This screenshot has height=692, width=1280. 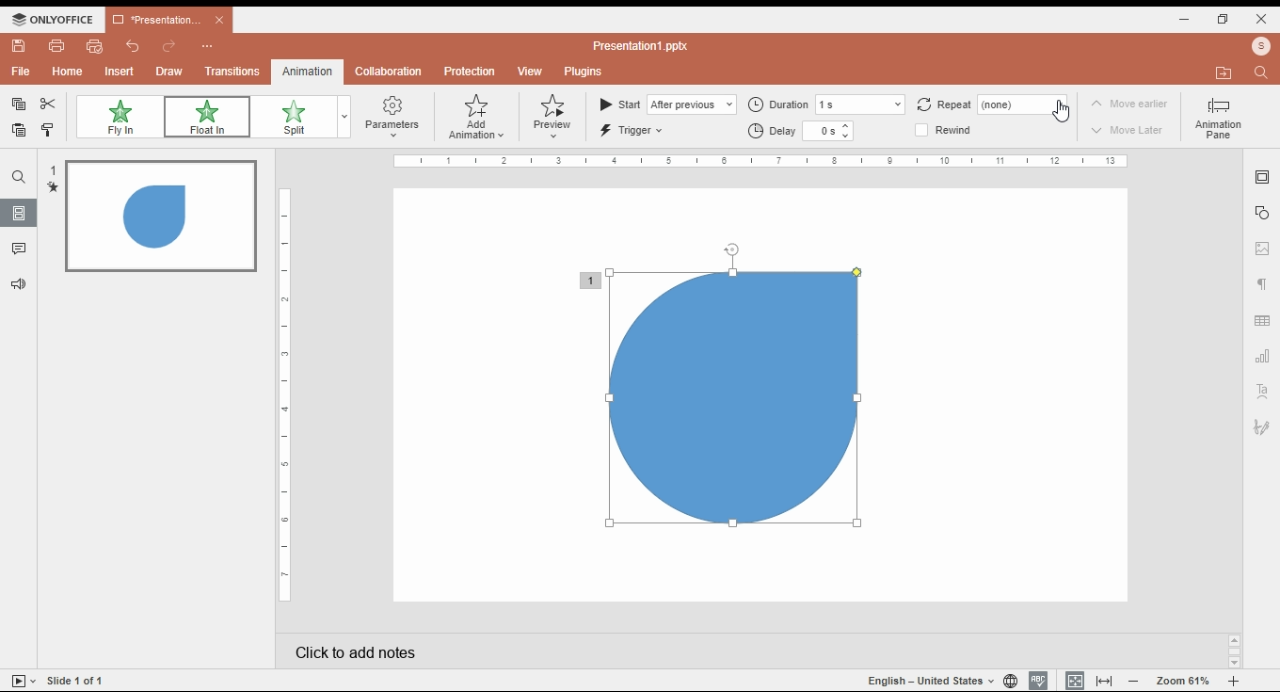 What do you see at coordinates (119, 117) in the screenshot?
I see `fly in` at bounding box center [119, 117].